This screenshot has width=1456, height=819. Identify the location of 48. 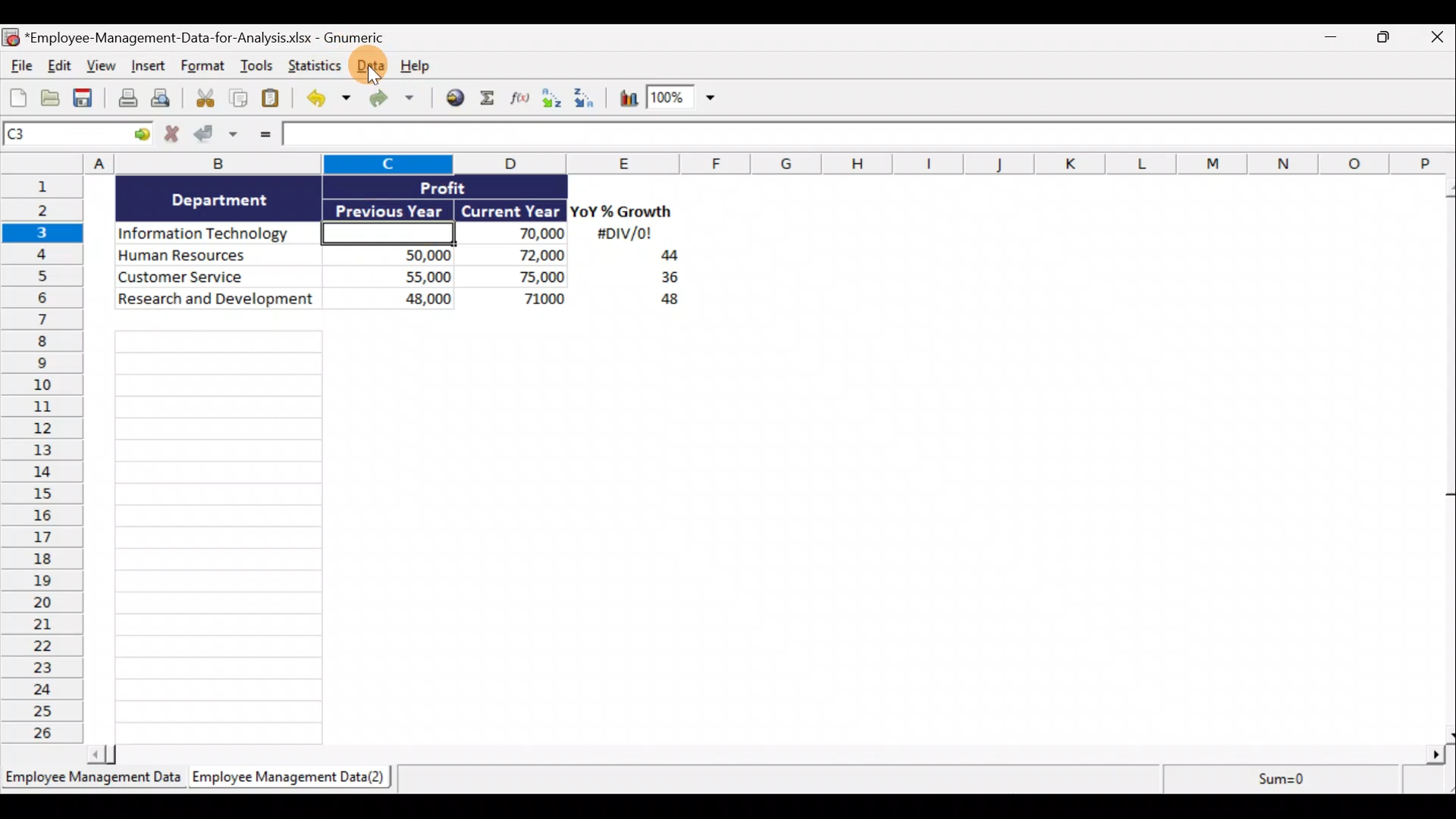
(661, 302).